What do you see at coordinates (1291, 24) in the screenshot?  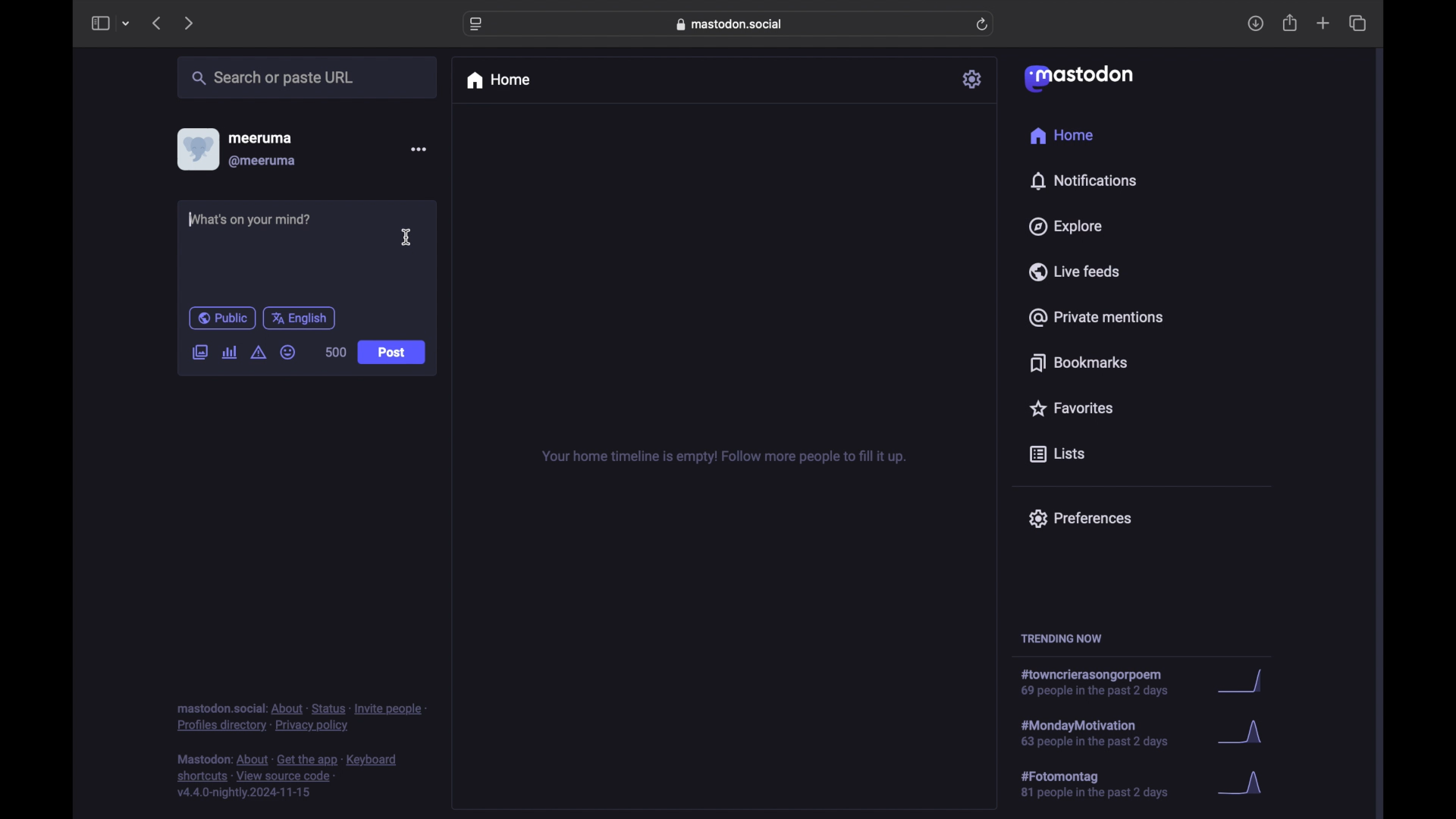 I see `share` at bounding box center [1291, 24].